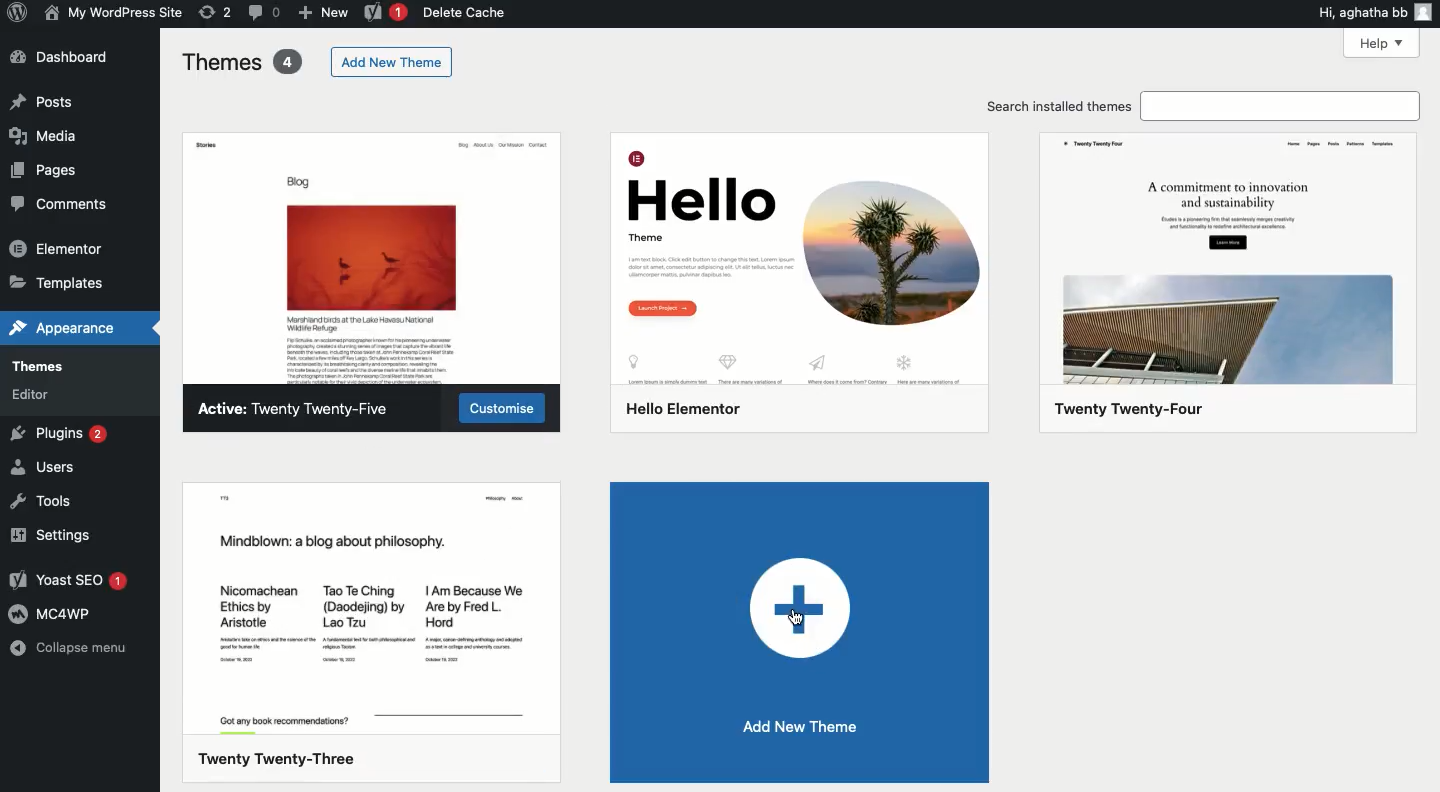 Image resolution: width=1440 pixels, height=792 pixels. Describe the element at coordinates (373, 632) in the screenshot. I see `Twenty Twenty-Three Theme` at that location.